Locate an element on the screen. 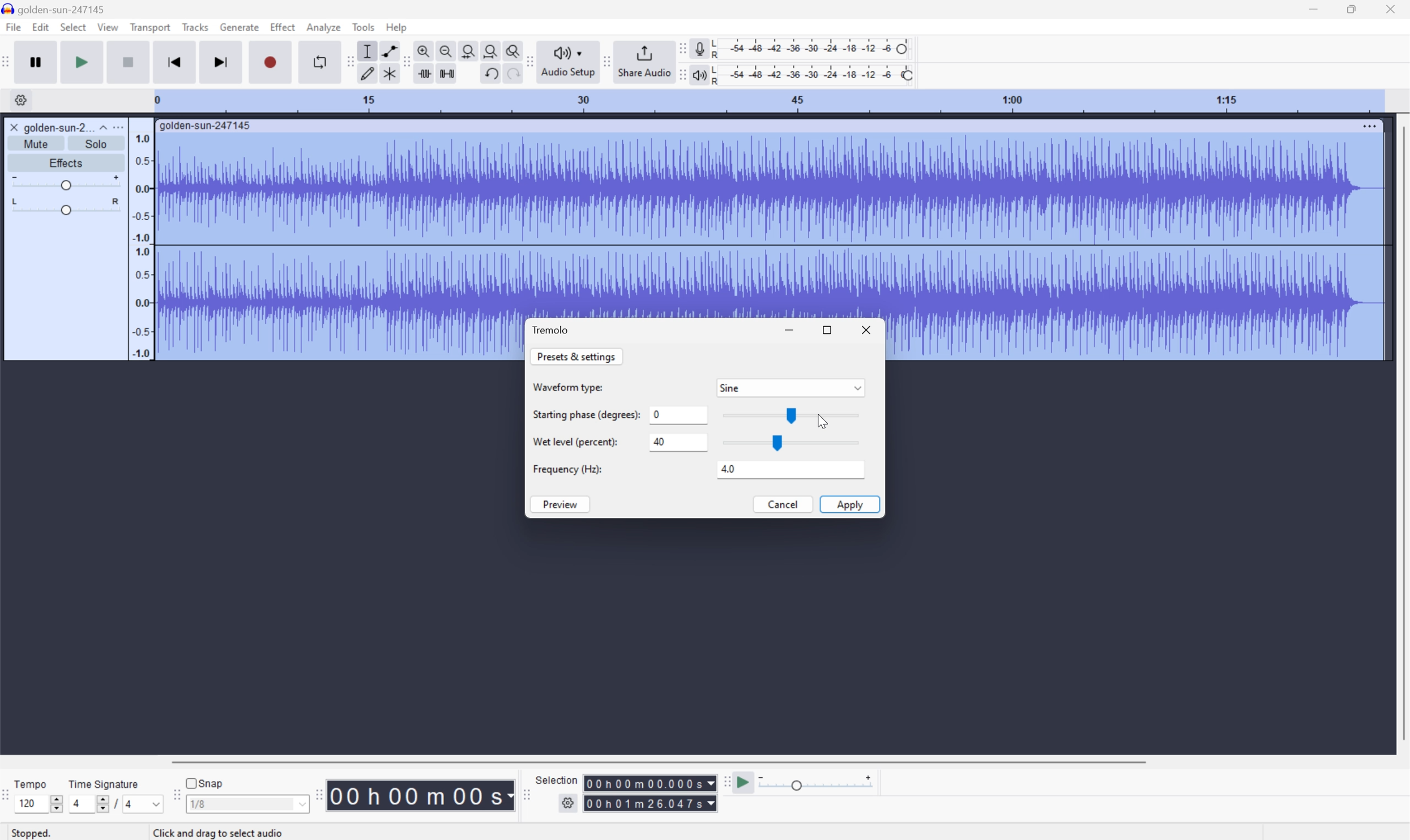 The height and width of the screenshot is (840, 1410). Audio setup is located at coordinates (569, 62).